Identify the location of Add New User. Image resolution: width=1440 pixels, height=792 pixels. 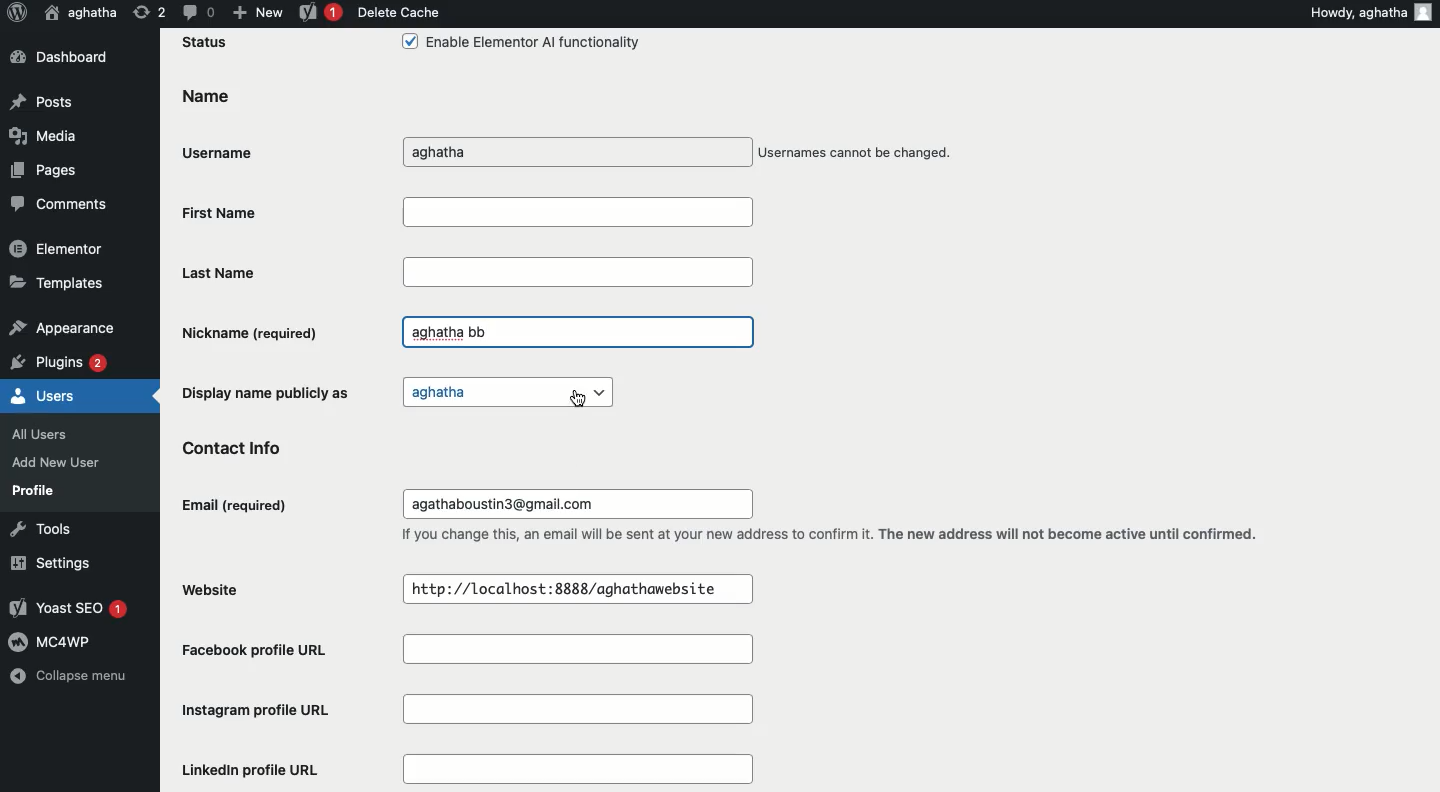
(54, 462).